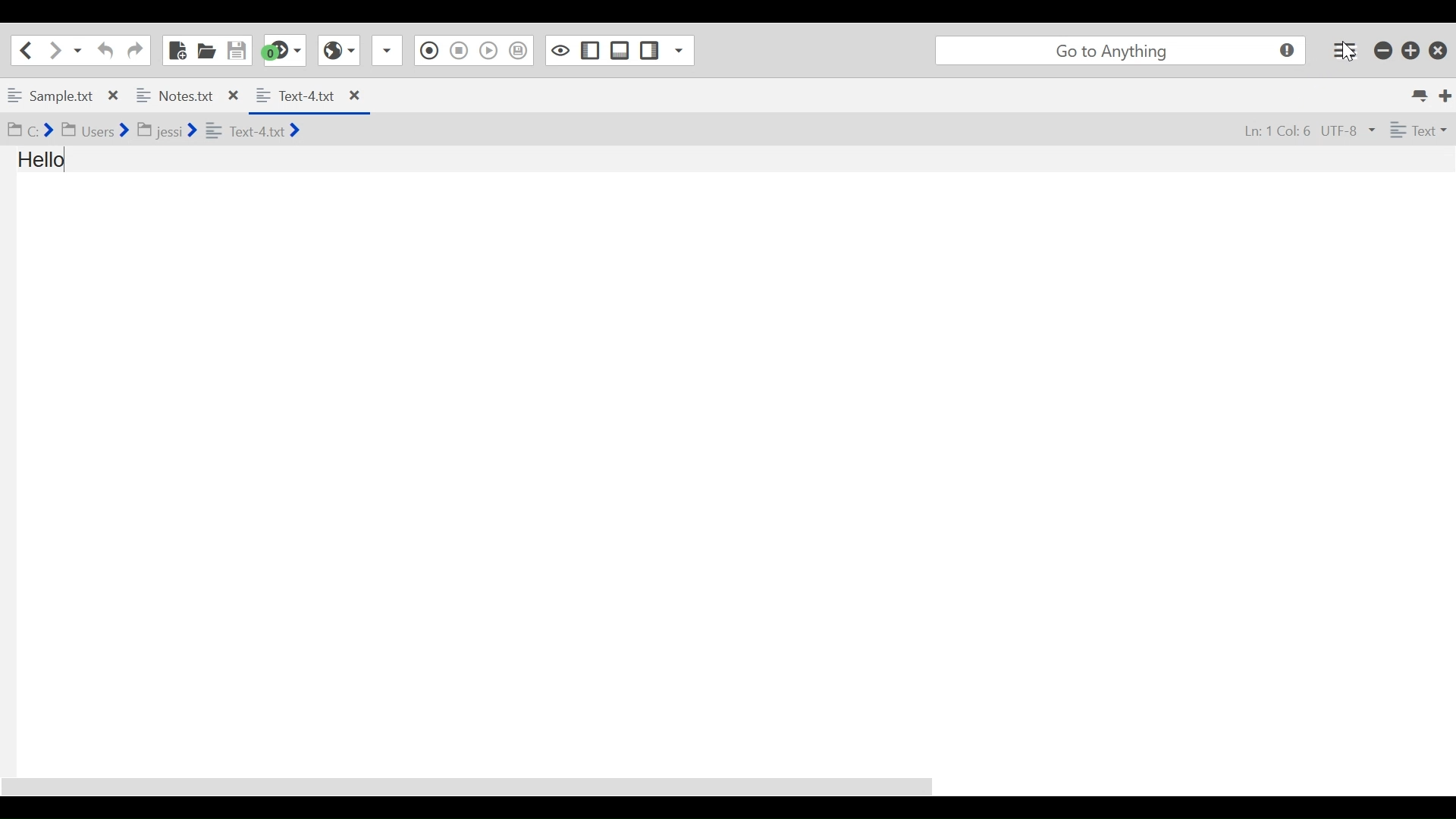 This screenshot has height=819, width=1456. Describe the element at coordinates (1122, 51) in the screenshot. I see `Search` at that location.